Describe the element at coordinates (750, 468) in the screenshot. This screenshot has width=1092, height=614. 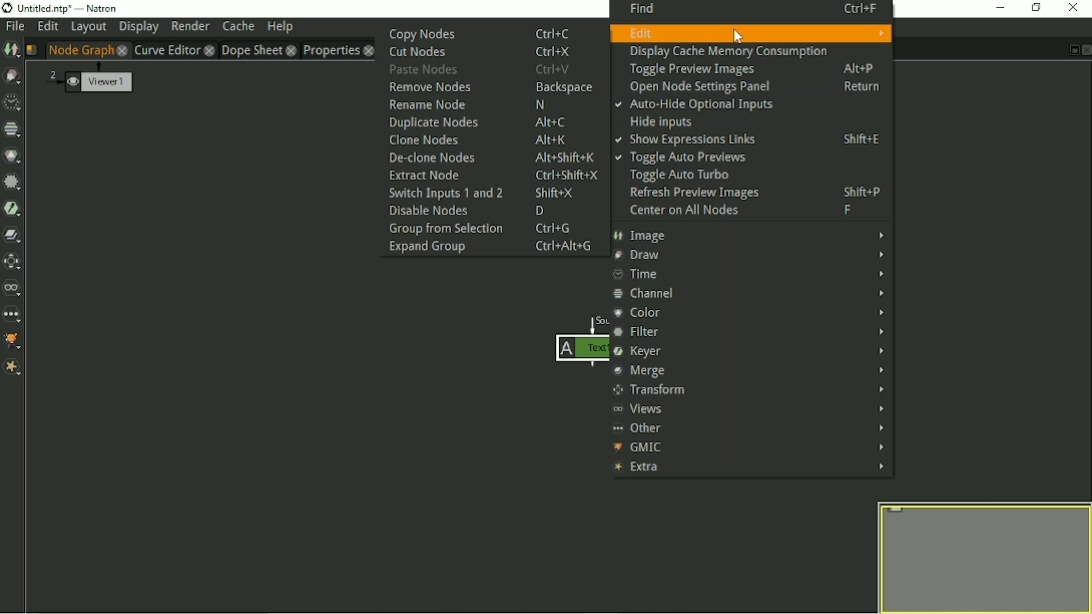
I see `Extra` at that location.